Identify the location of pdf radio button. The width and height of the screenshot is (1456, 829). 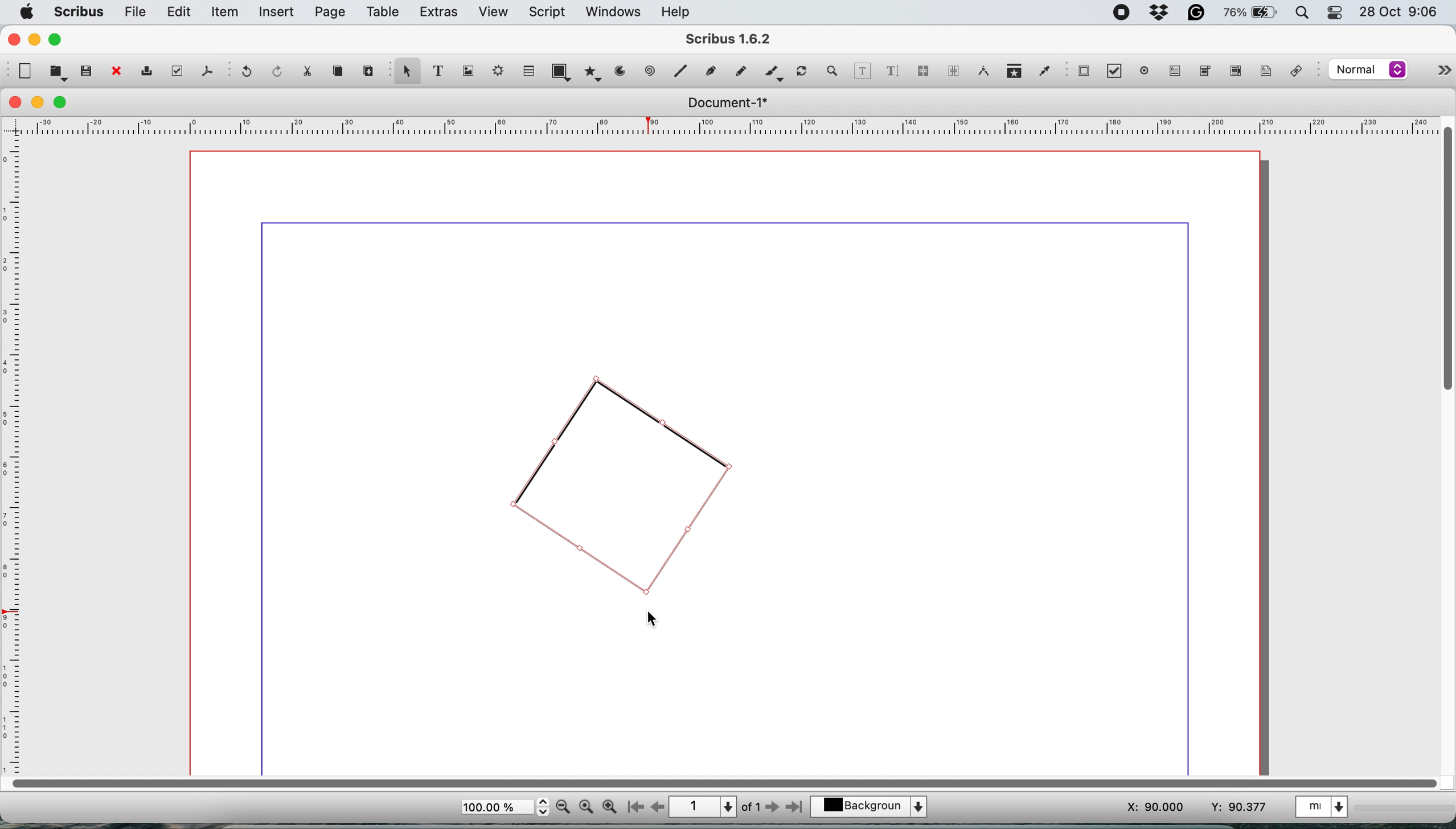
(1142, 71).